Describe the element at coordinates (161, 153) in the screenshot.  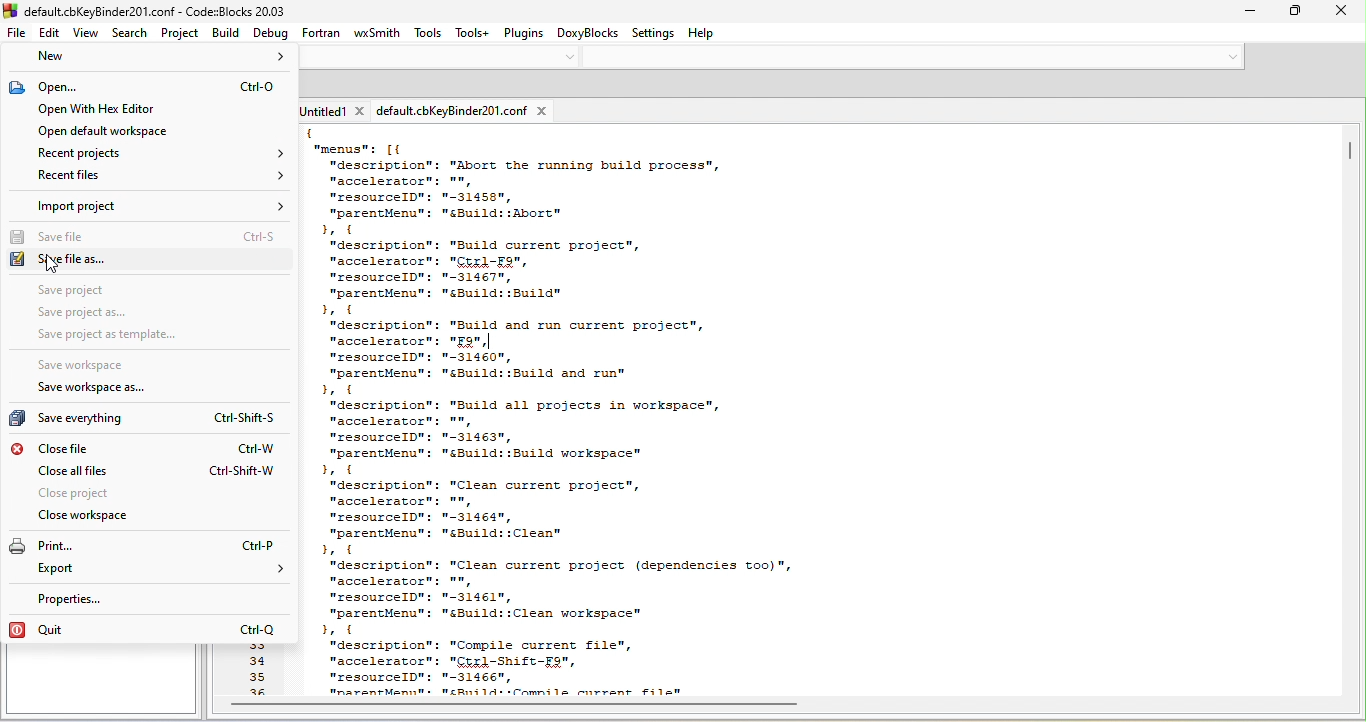
I see `recent project` at that location.